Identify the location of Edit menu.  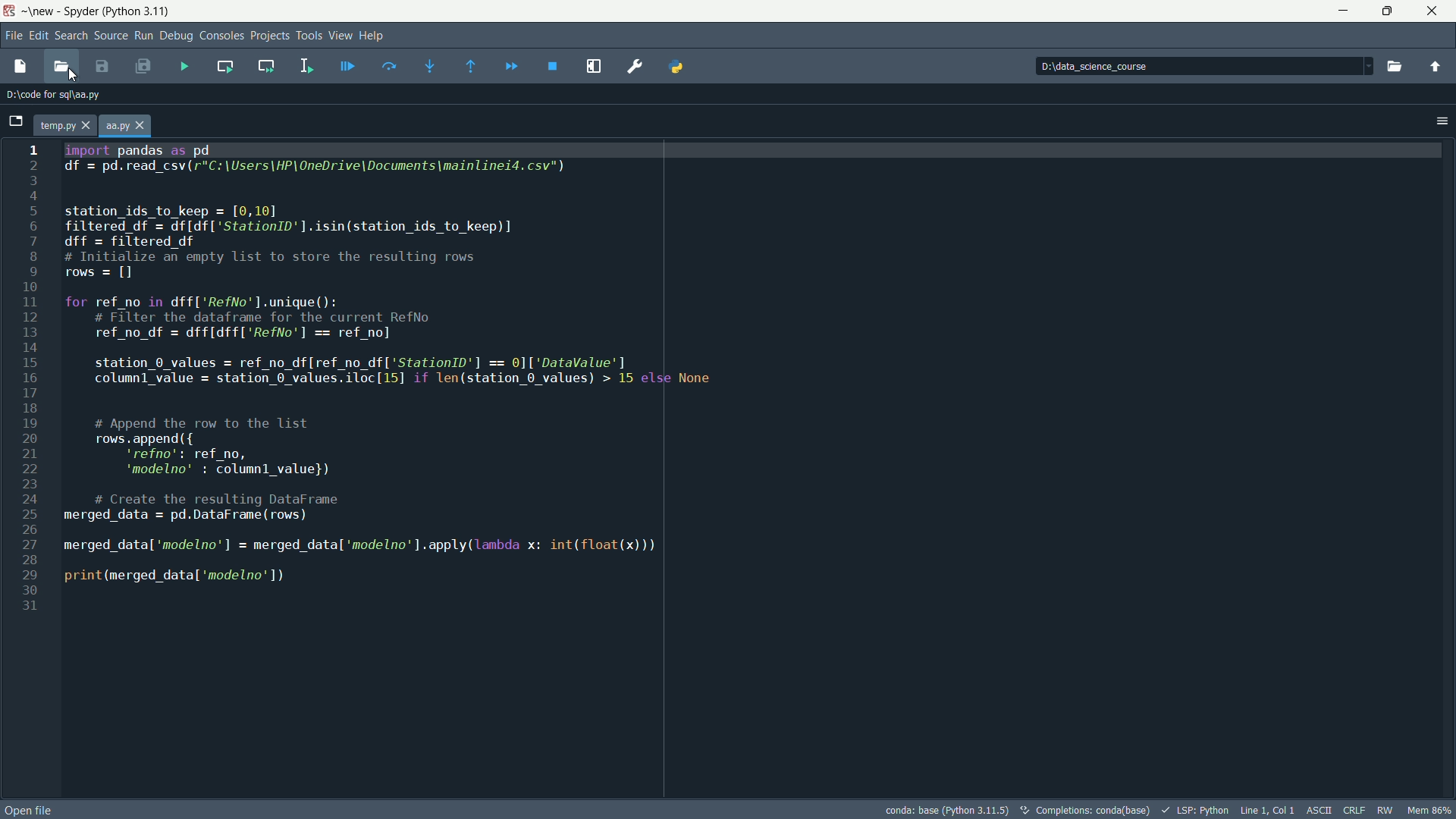
(39, 36).